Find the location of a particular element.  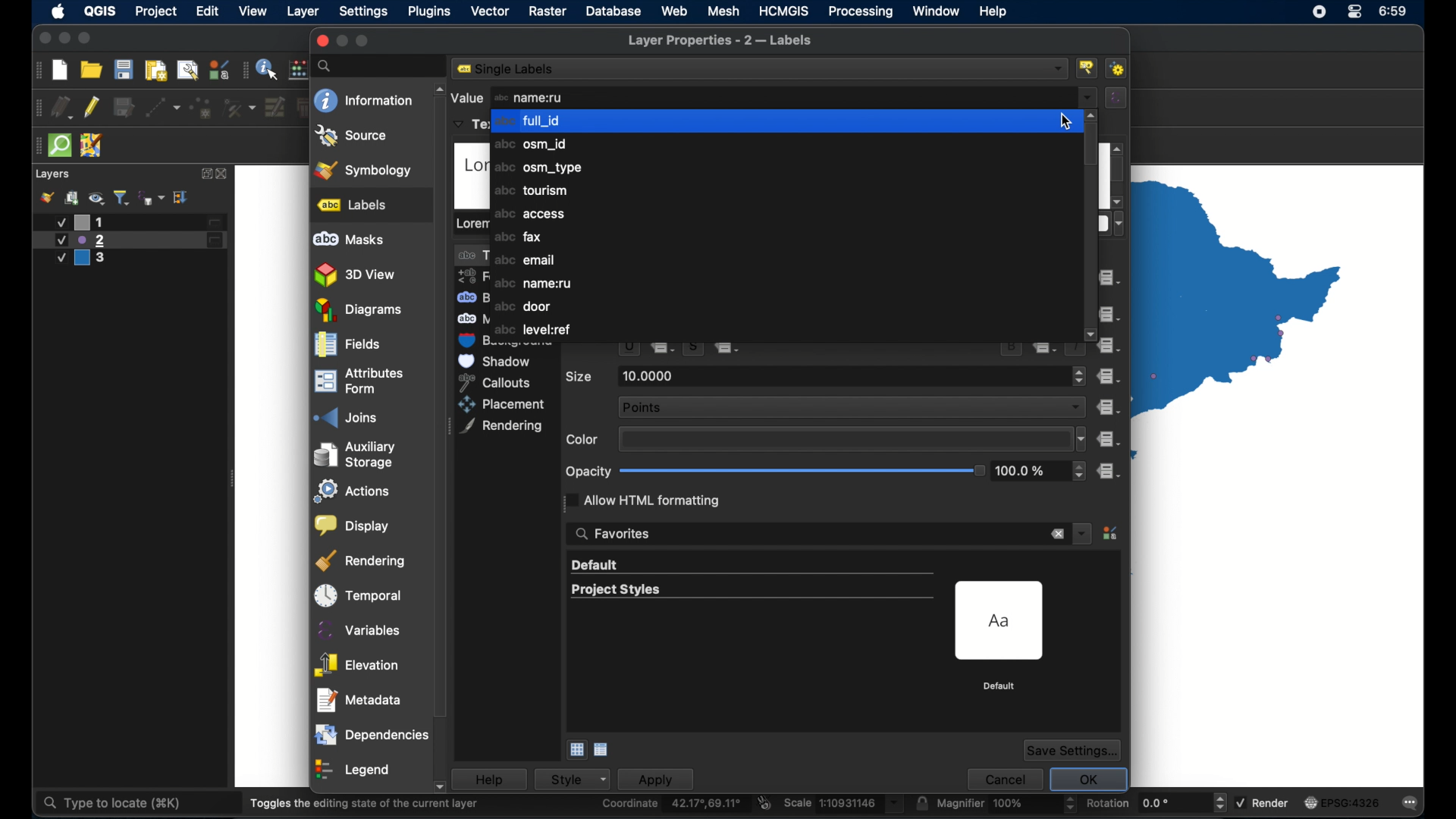

help is located at coordinates (994, 11).